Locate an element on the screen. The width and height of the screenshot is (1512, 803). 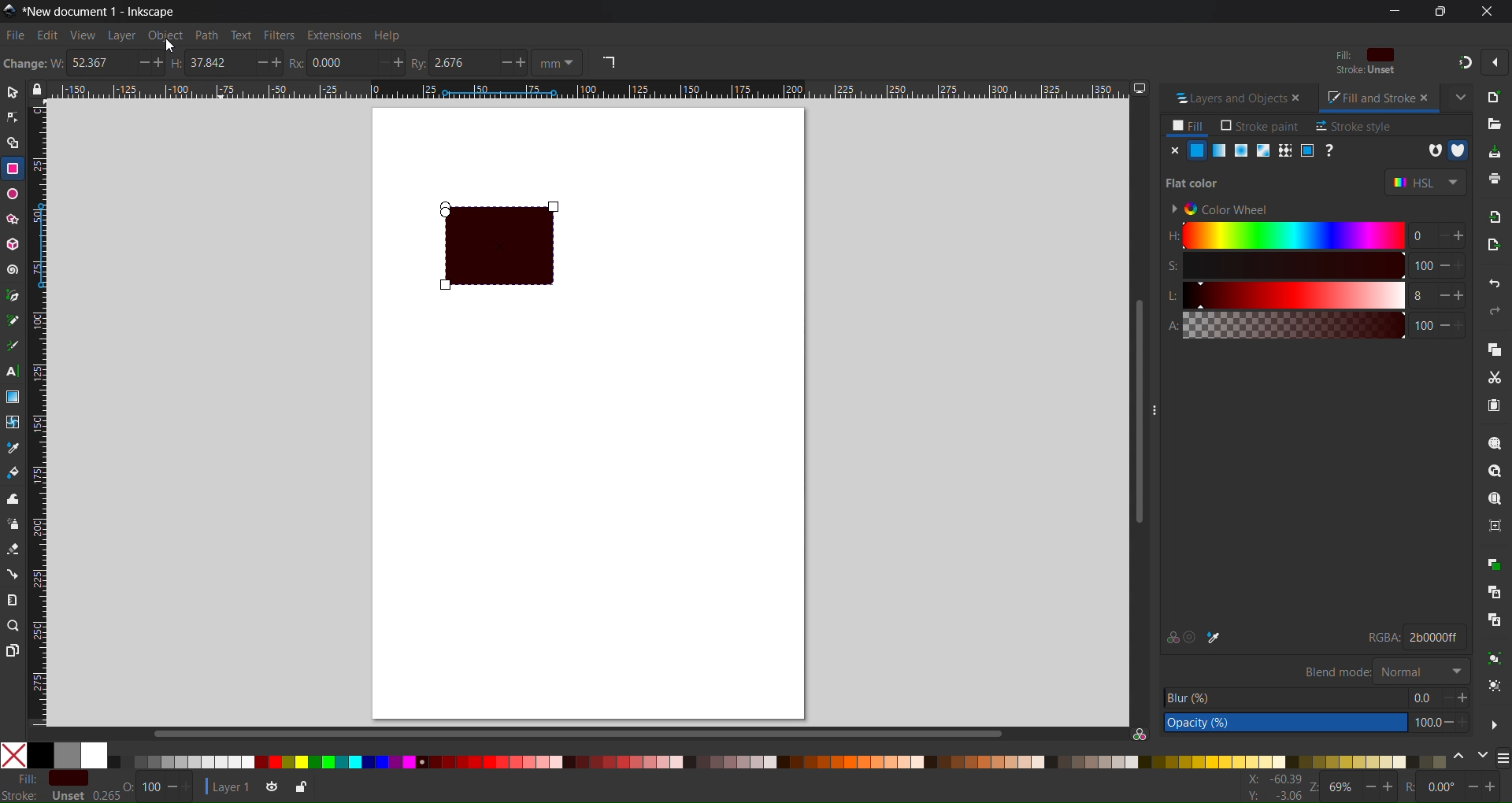
Out of gamut is located at coordinates (1193, 637).